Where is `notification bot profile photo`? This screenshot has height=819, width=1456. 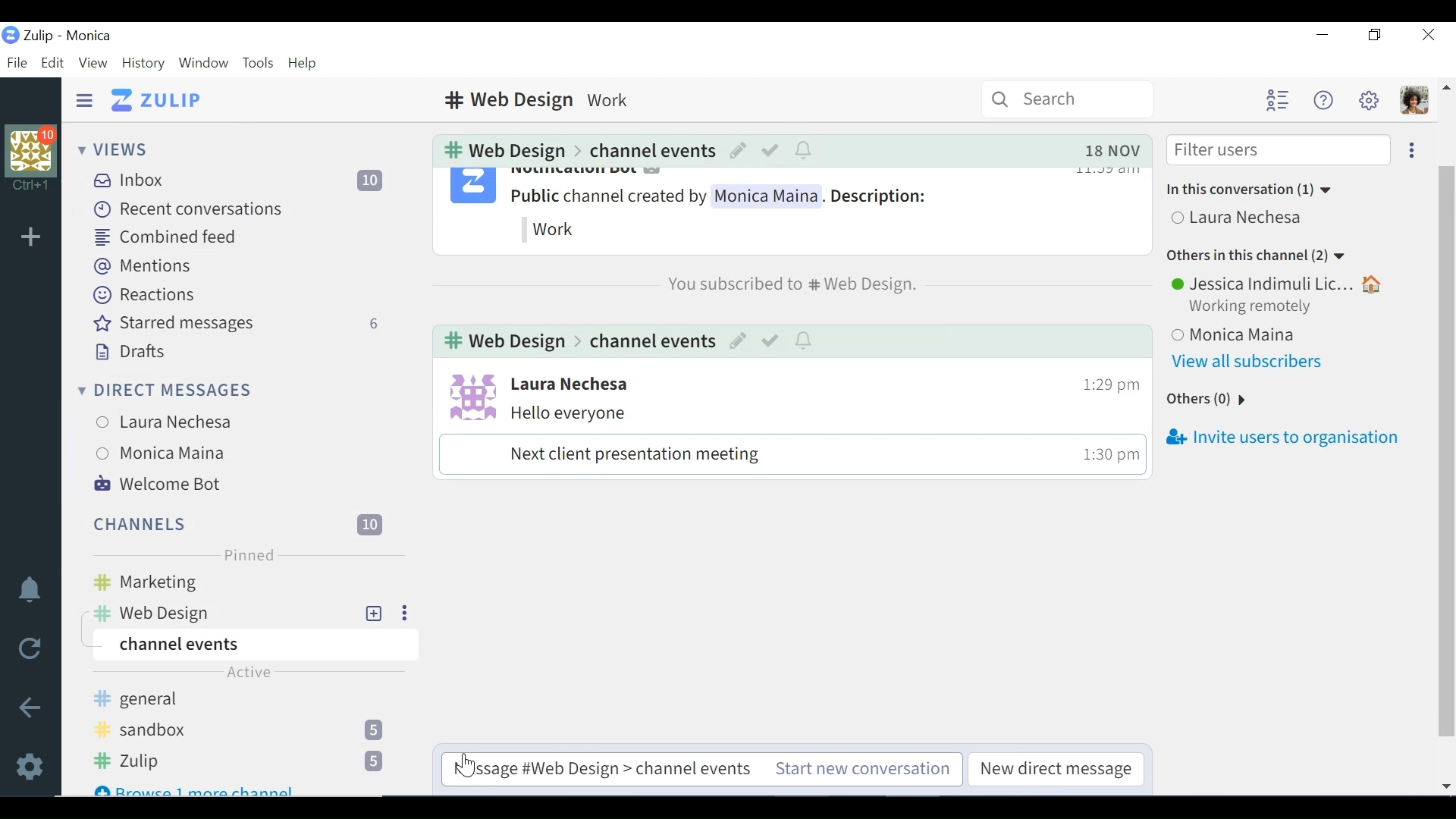
notification bot profile photo is located at coordinates (472, 188).